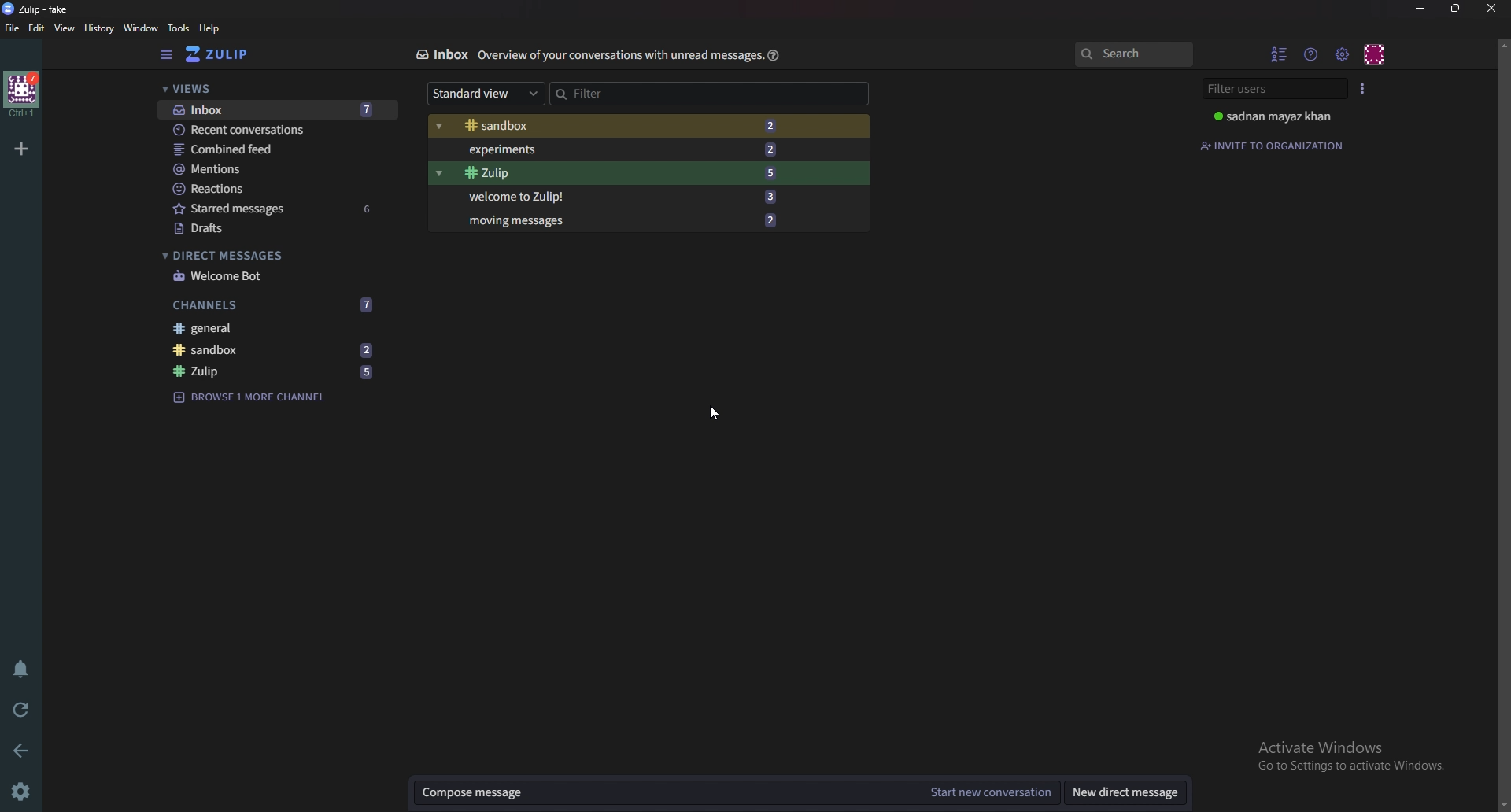 The height and width of the screenshot is (812, 1511). I want to click on Compose message, so click(663, 793).